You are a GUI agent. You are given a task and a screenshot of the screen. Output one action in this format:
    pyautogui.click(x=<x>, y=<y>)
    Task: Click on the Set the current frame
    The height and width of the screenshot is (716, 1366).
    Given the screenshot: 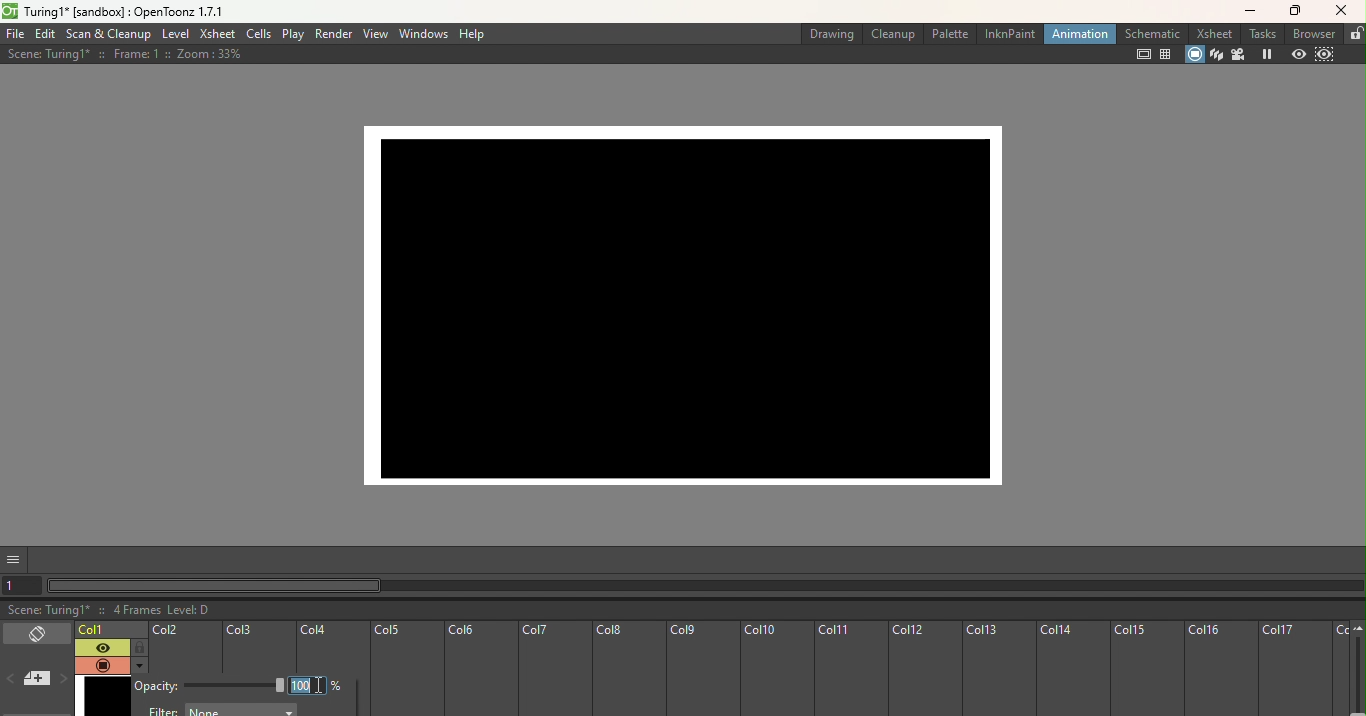 What is the action you would take?
    pyautogui.click(x=24, y=585)
    